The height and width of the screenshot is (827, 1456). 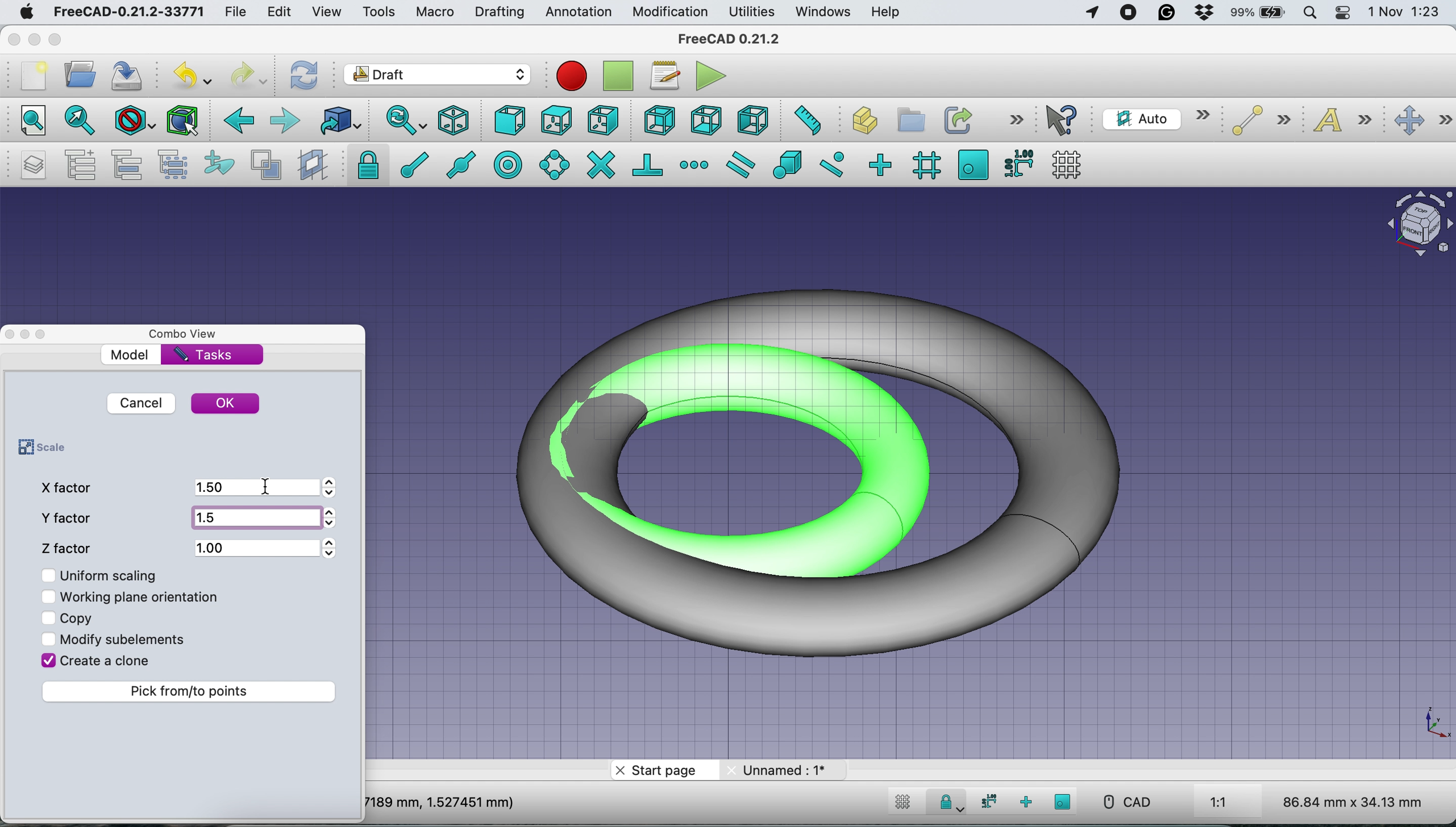 I want to click on snap near, so click(x=833, y=164).